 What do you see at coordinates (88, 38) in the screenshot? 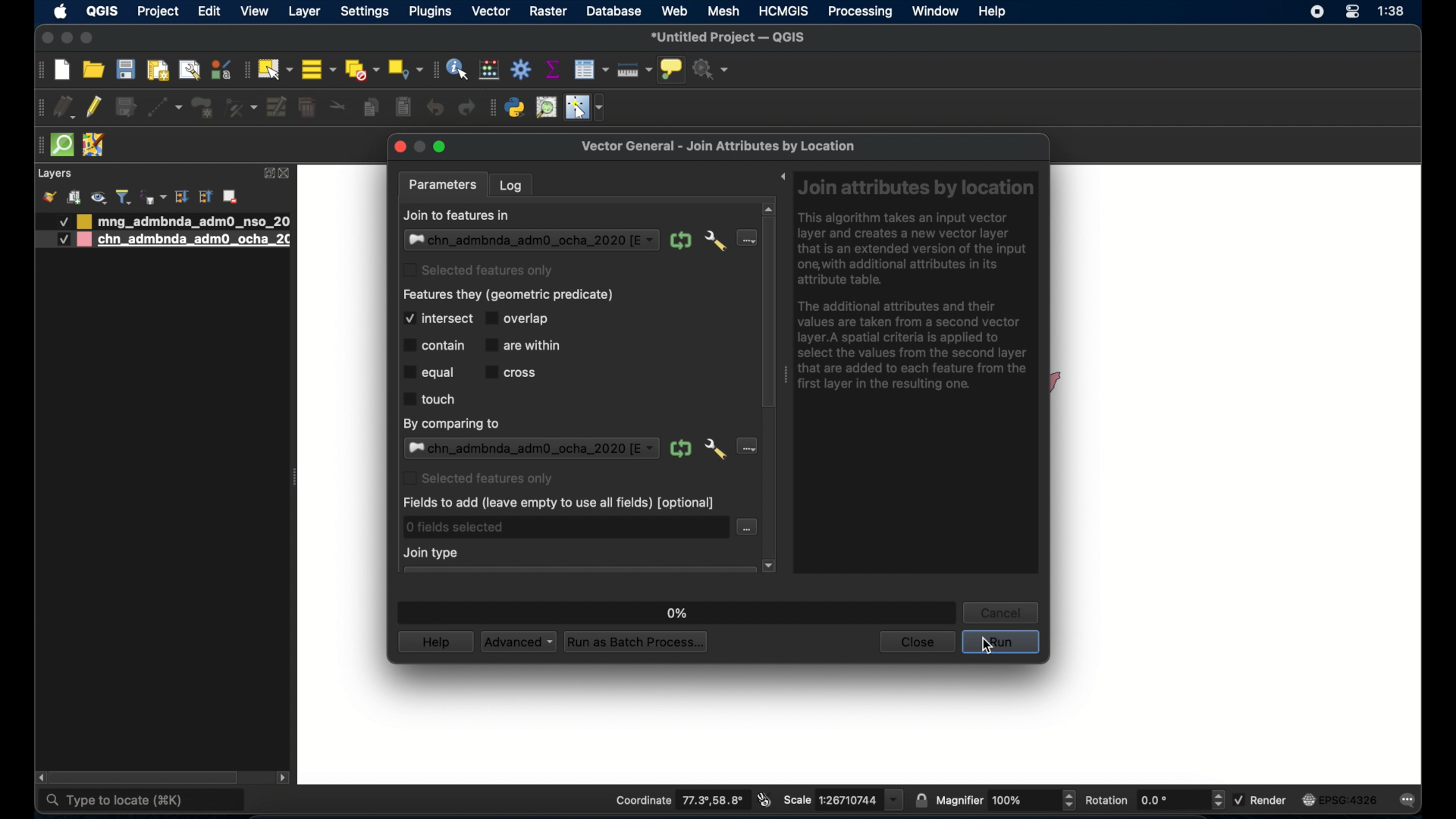
I see `maximize` at bounding box center [88, 38].